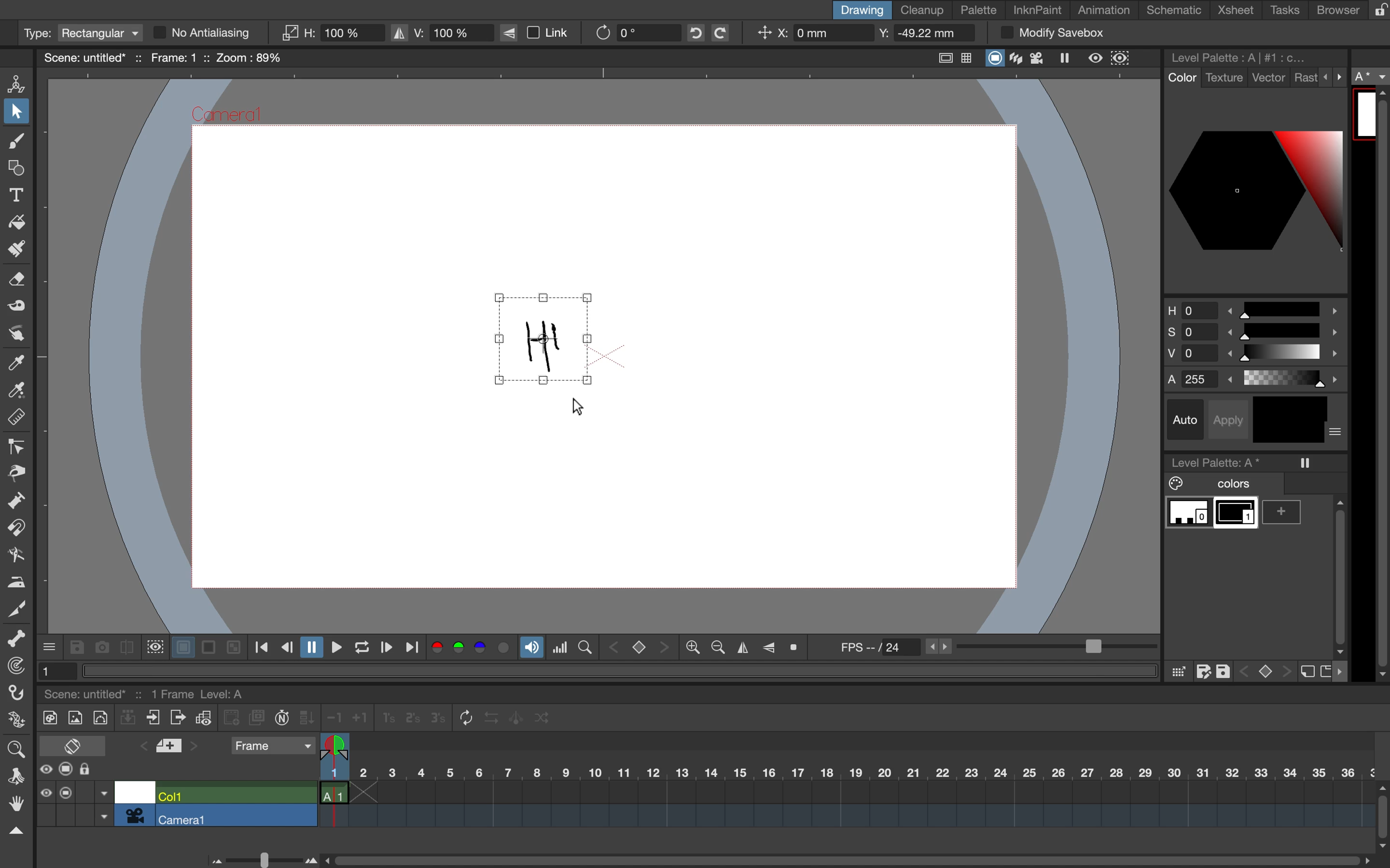 Image resolution: width=1390 pixels, height=868 pixels. What do you see at coordinates (100, 716) in the screenshot?
I see `new vector level` at bounding box center [100, 716].